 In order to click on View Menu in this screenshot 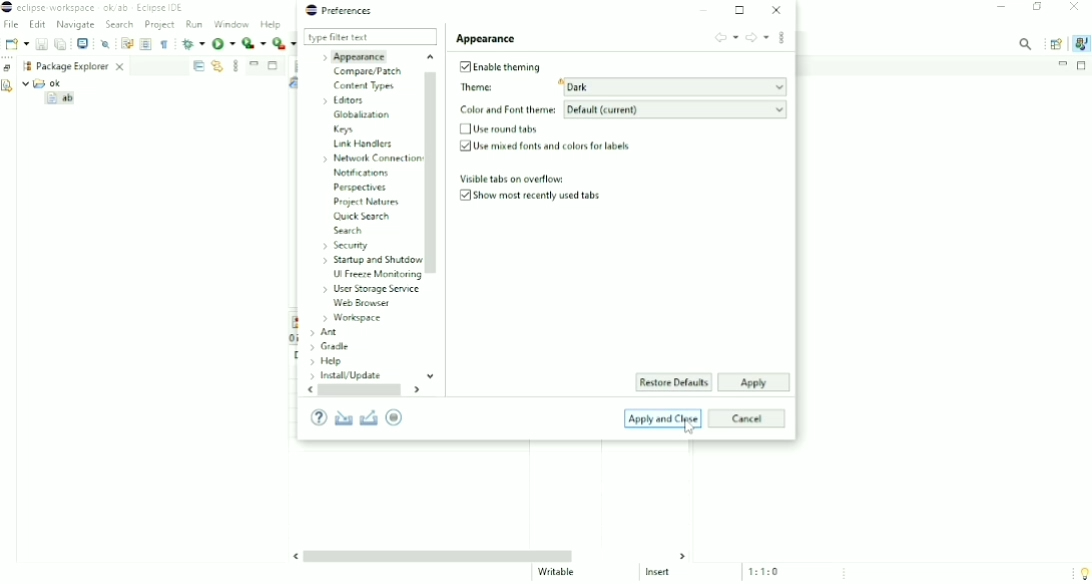, I will do `click(236, 65)`.